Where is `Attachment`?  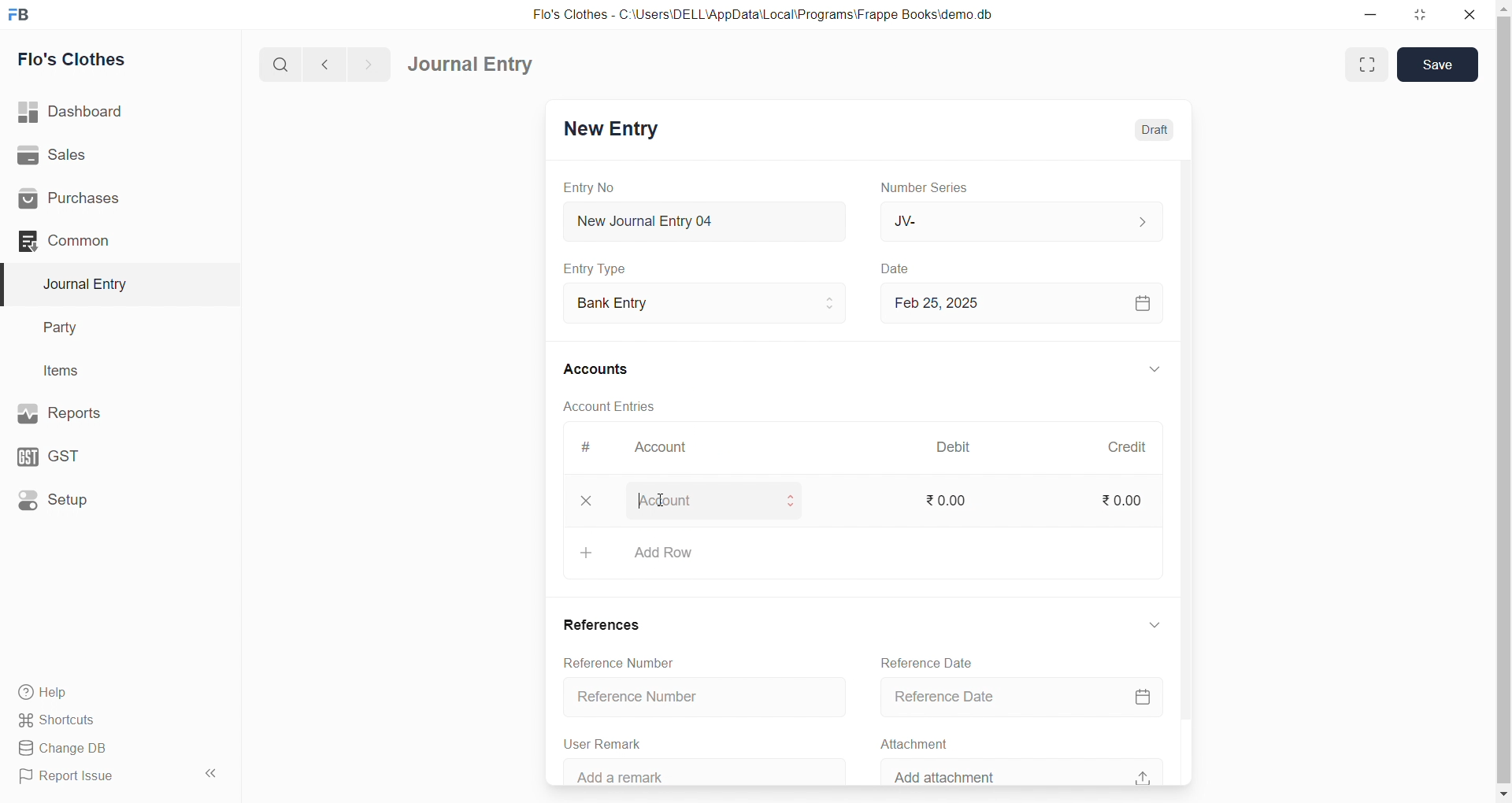 Attachment is located at coordinates (915, 742).